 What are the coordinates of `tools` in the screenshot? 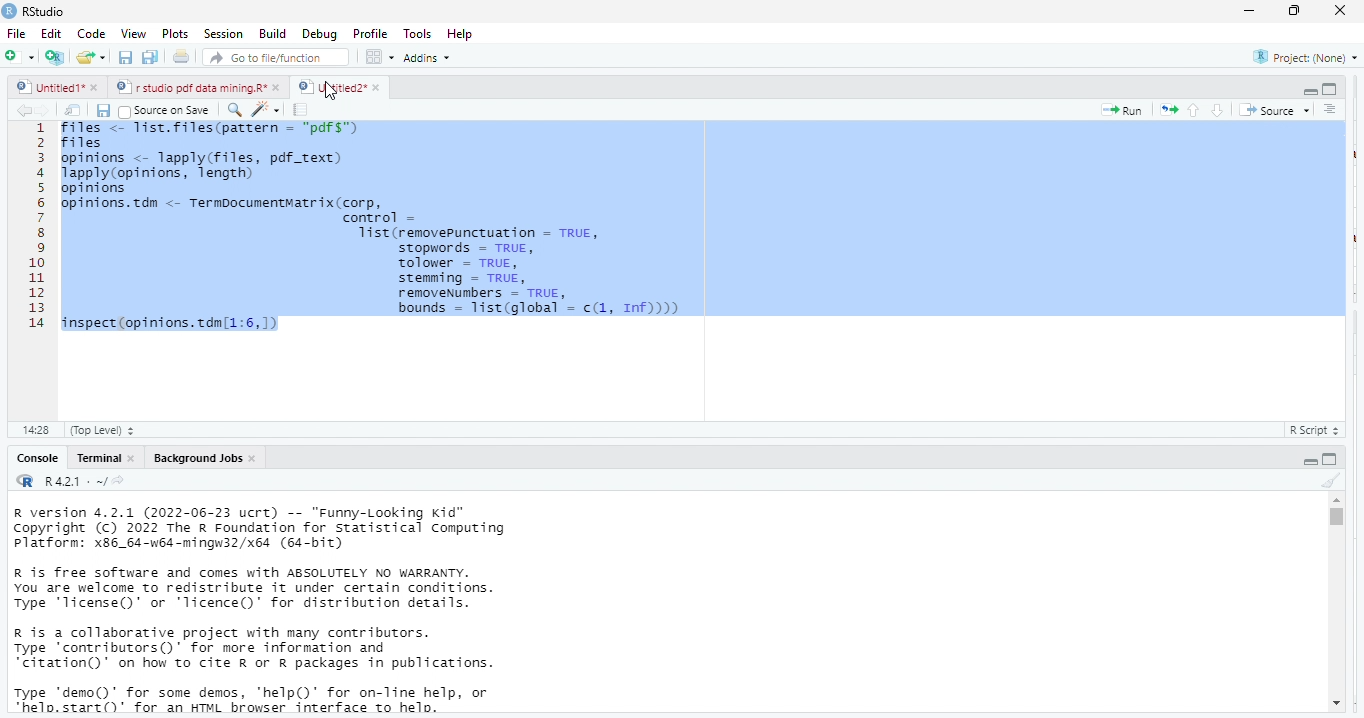 It's located at (420, 32).